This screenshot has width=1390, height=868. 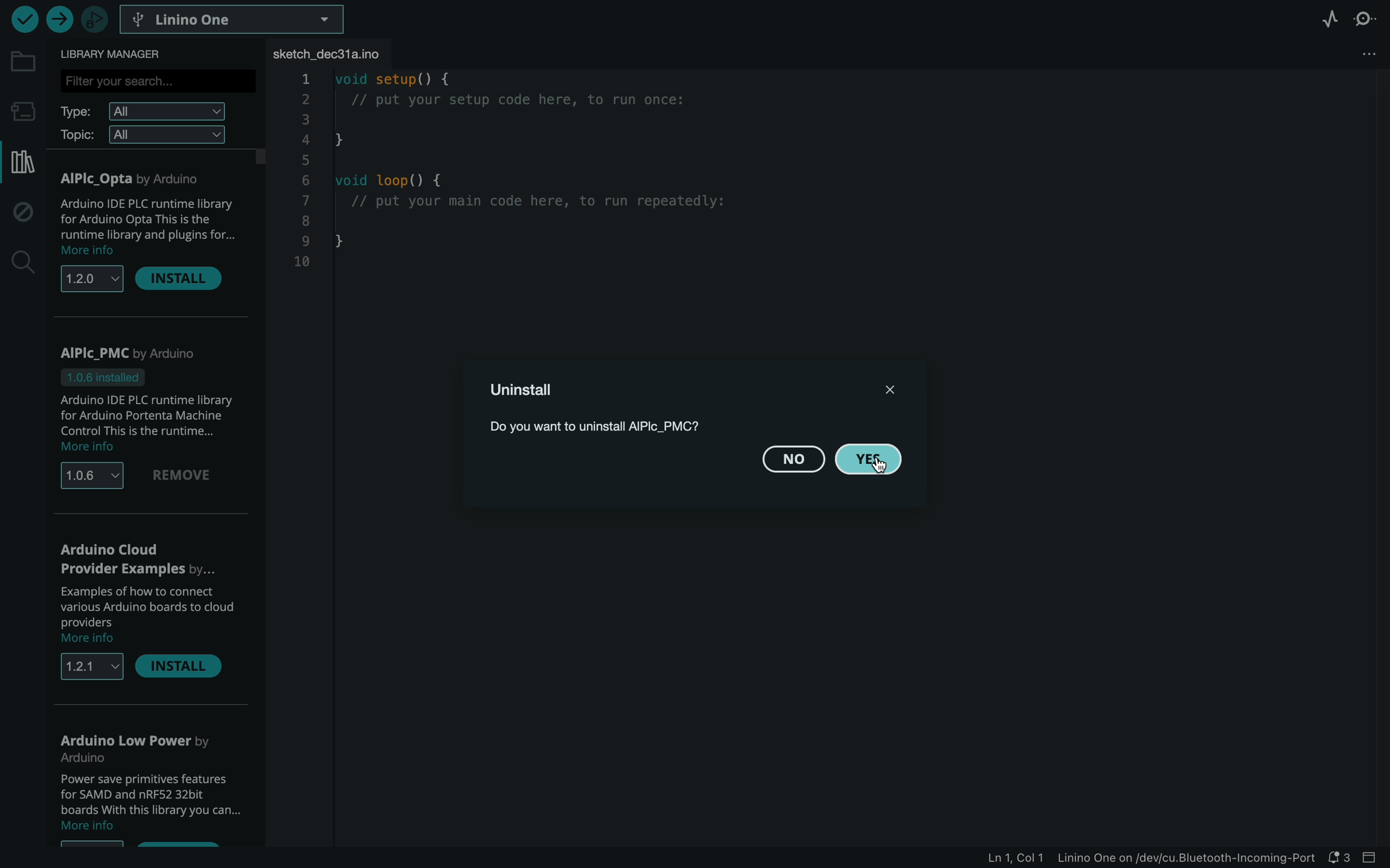 I want to click on library manager, so click(x=123, y=55).